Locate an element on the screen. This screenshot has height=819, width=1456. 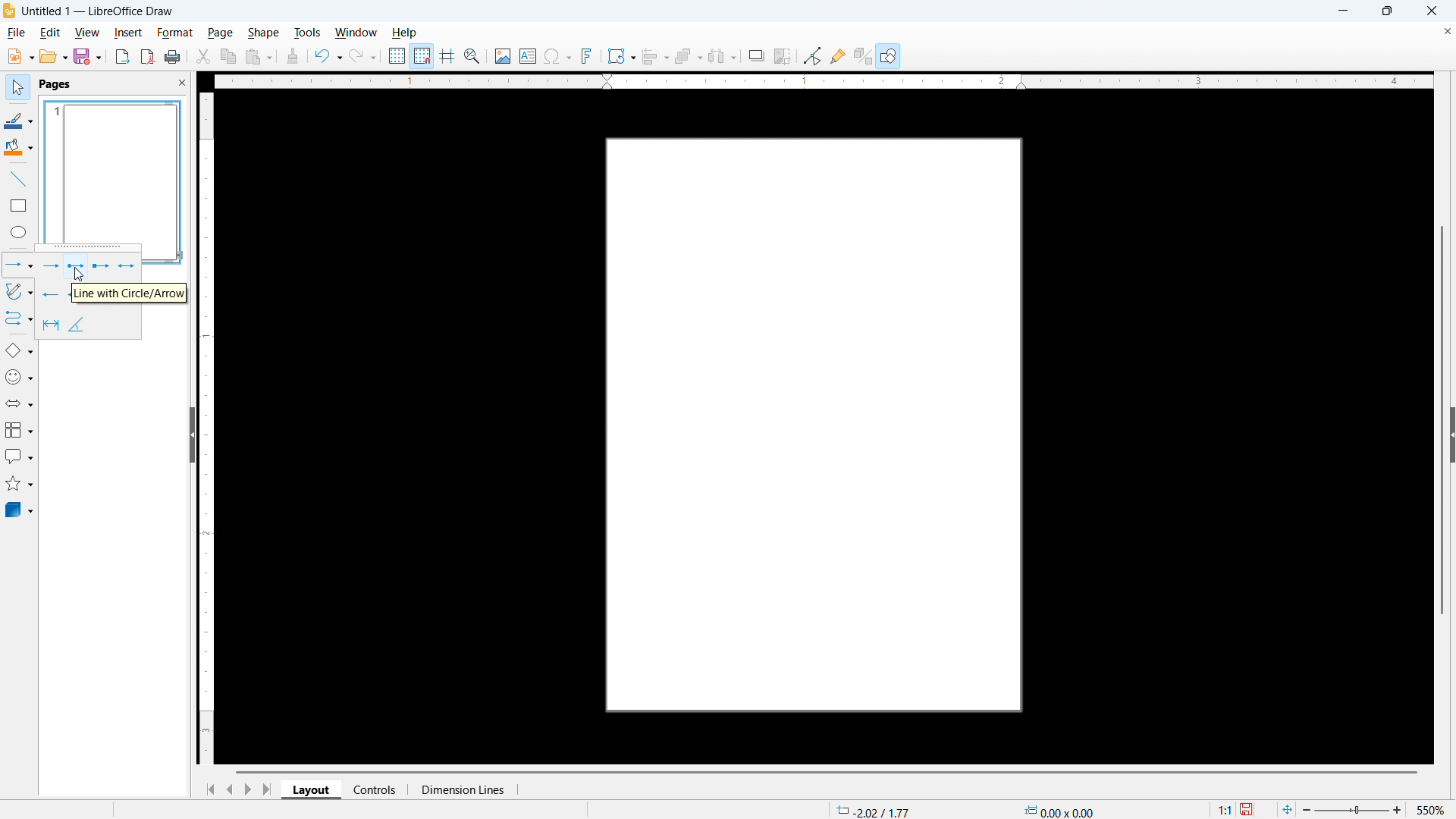
Insert symbols  is located at coordinates (558, 56).